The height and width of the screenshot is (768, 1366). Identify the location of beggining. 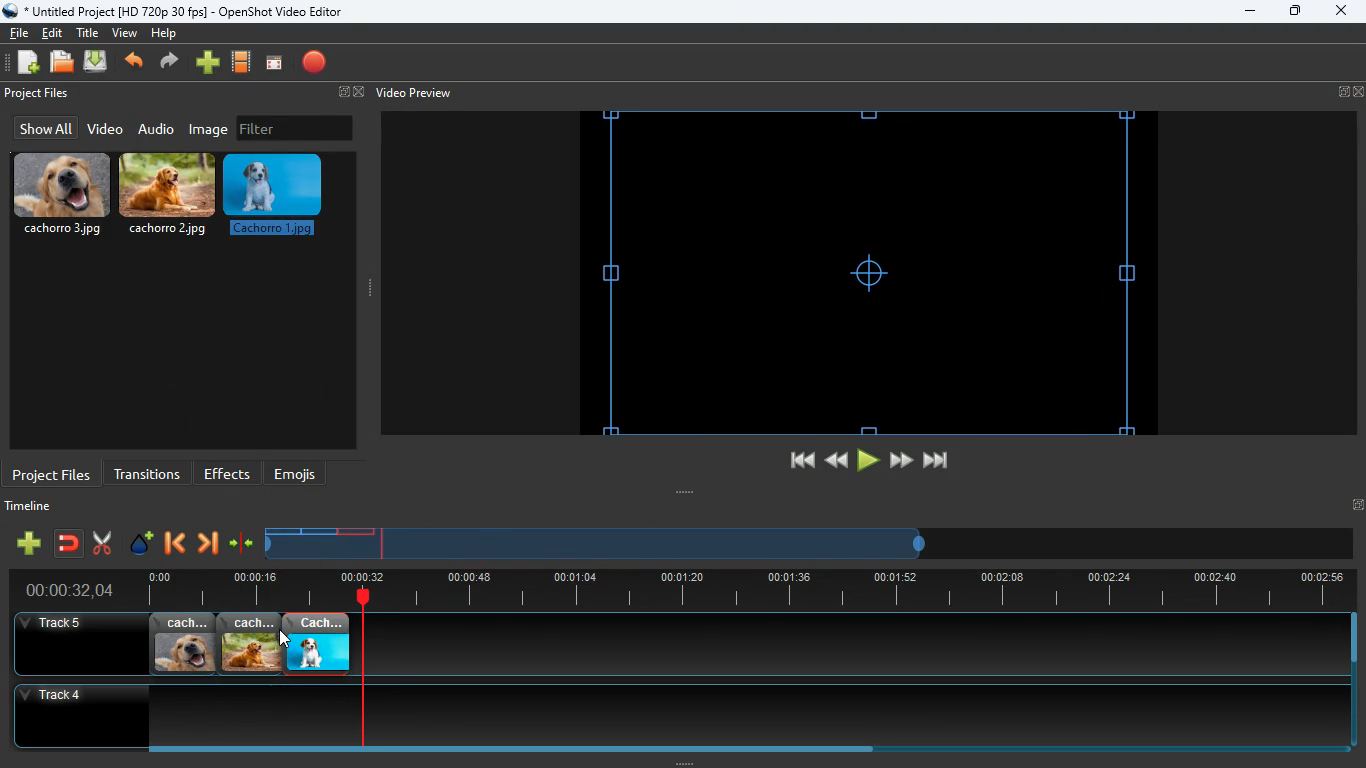
(793, 461).